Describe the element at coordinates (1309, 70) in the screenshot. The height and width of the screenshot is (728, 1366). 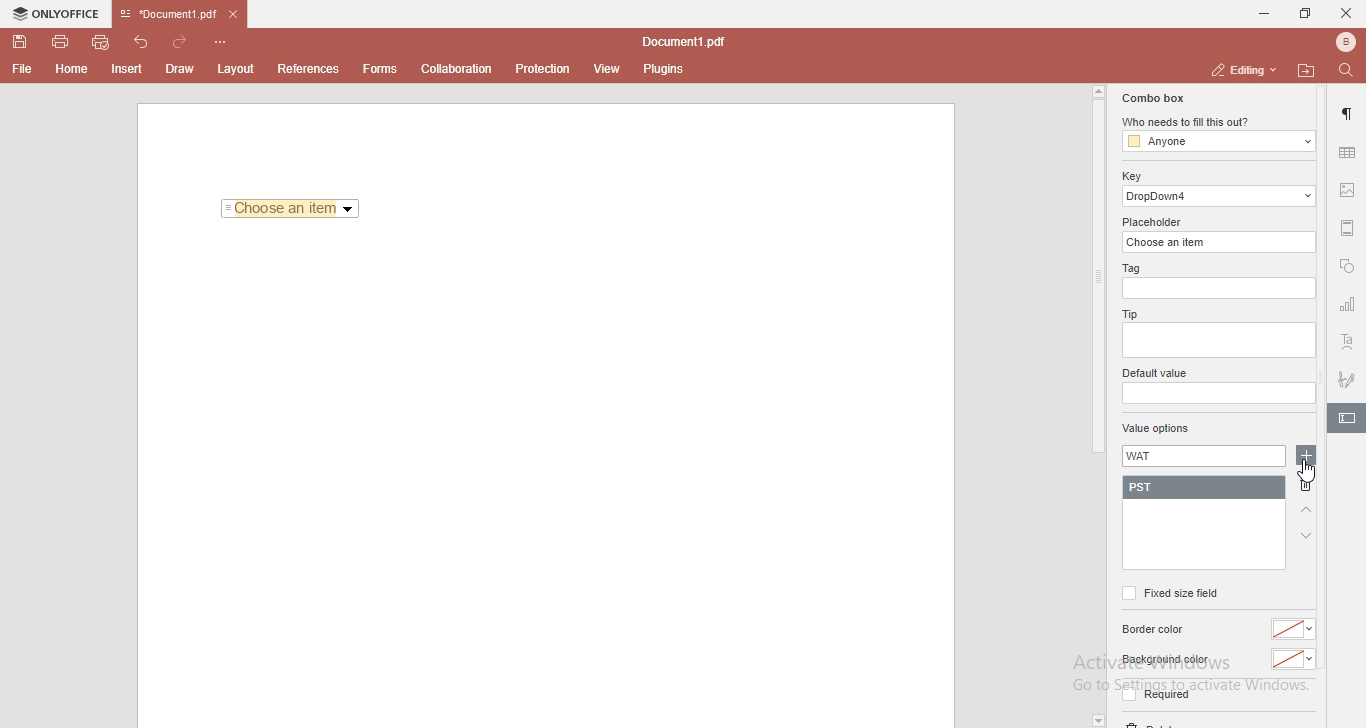
I see `open file location` at that location.